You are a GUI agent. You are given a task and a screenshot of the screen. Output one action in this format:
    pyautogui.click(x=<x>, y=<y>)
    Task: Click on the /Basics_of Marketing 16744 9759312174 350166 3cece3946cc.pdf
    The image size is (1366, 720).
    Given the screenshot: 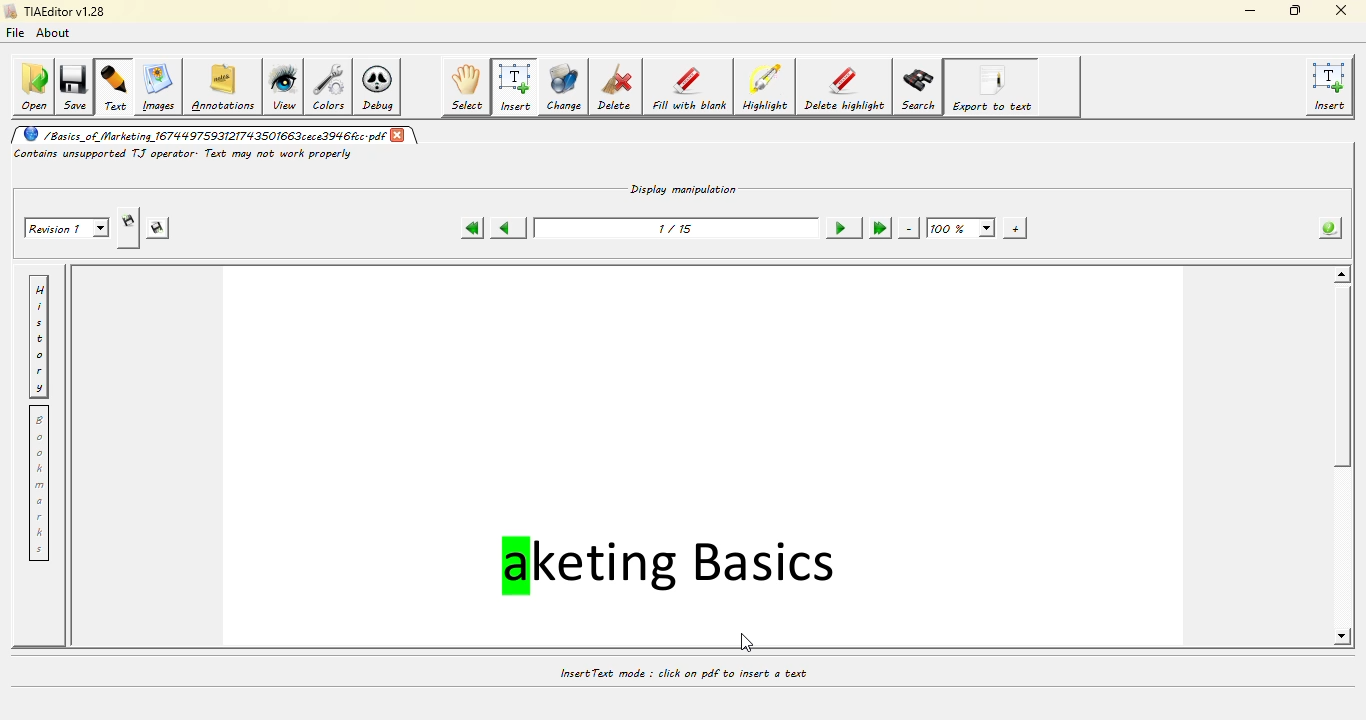 What is the action you would take?
    pyautogui.click(x=201, y=135)
    